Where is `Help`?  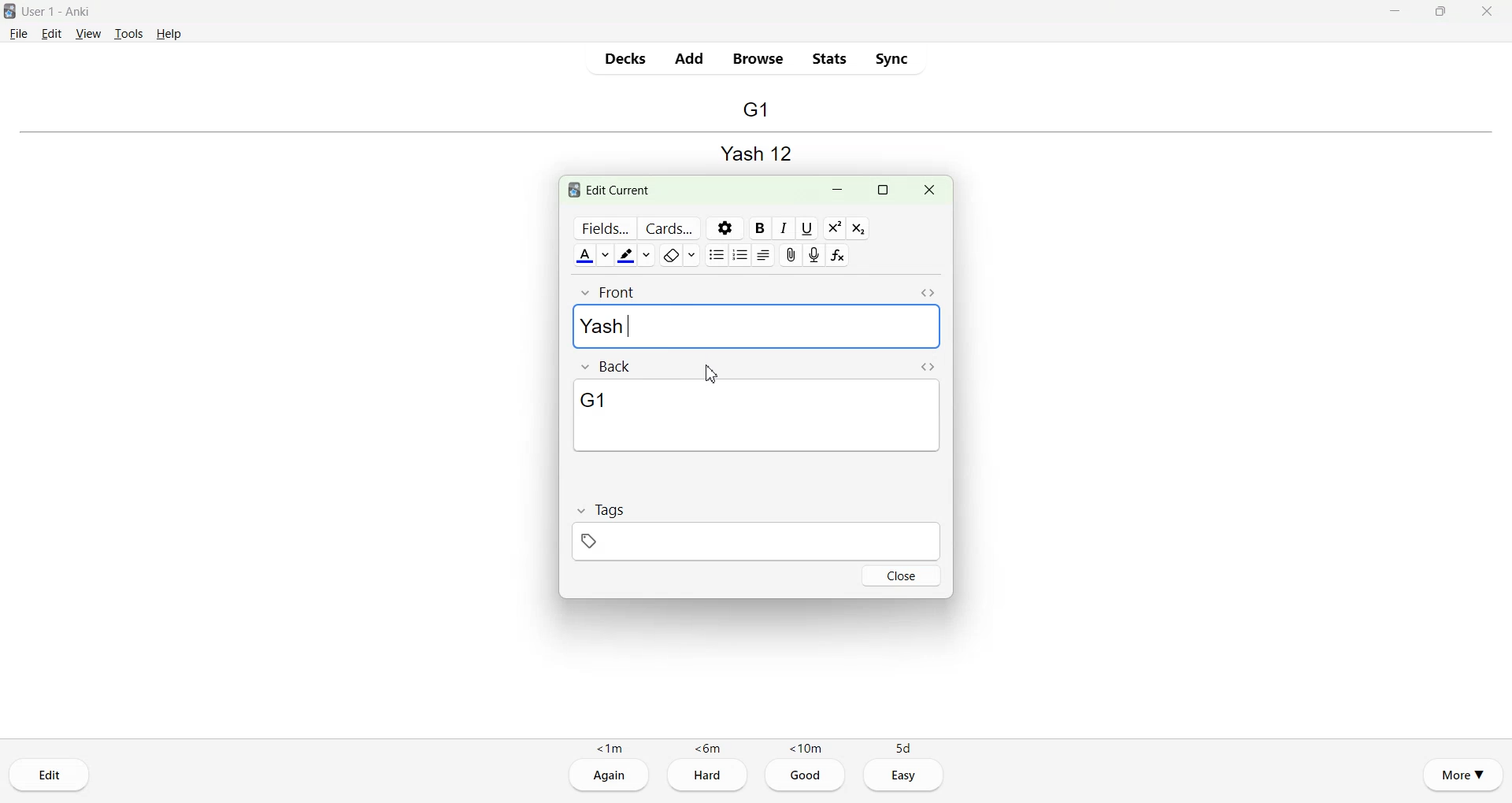
Help is located at coordinates (169, 34).